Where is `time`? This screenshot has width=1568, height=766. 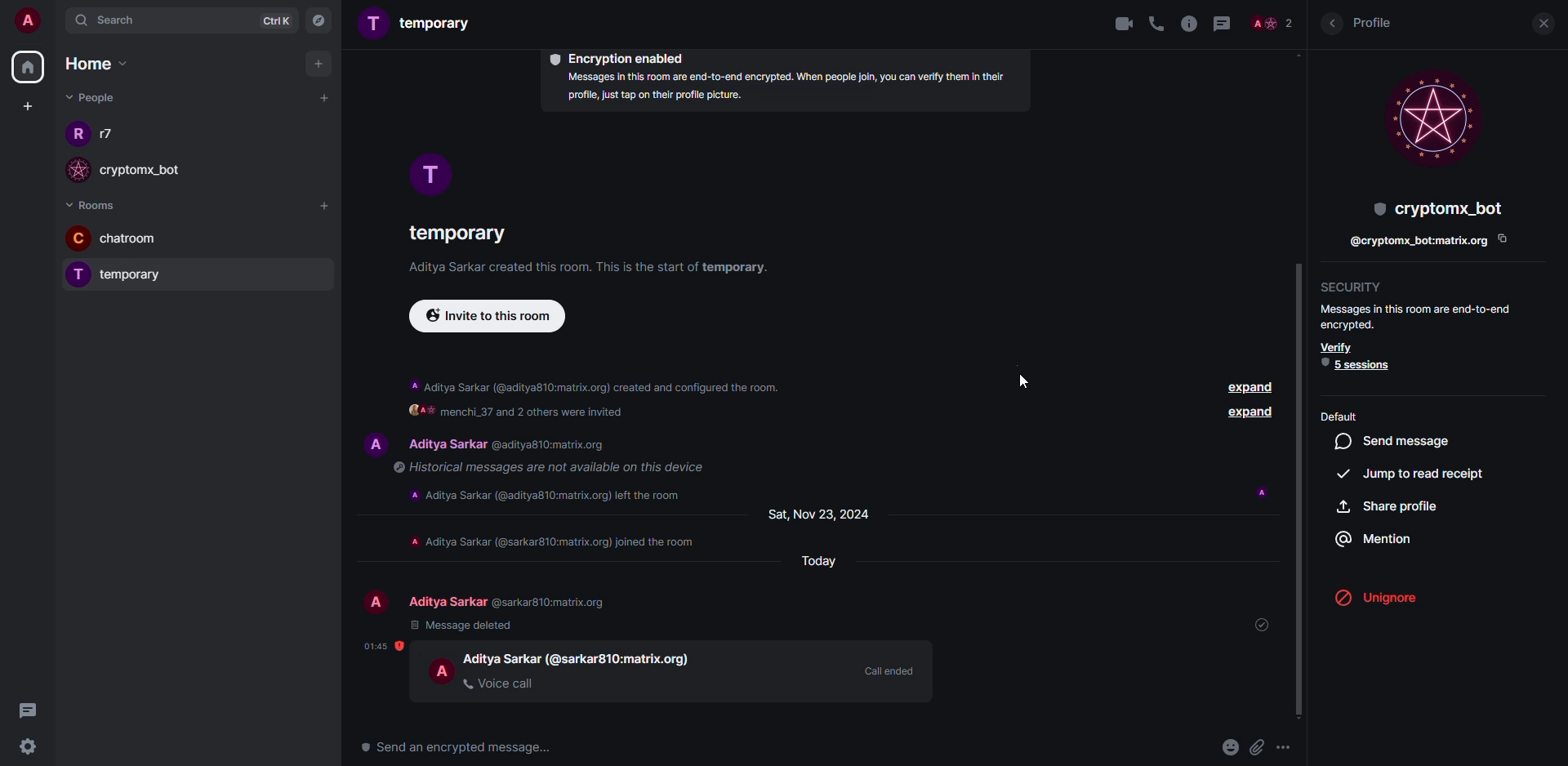
time is located at coordinates (383, 646).